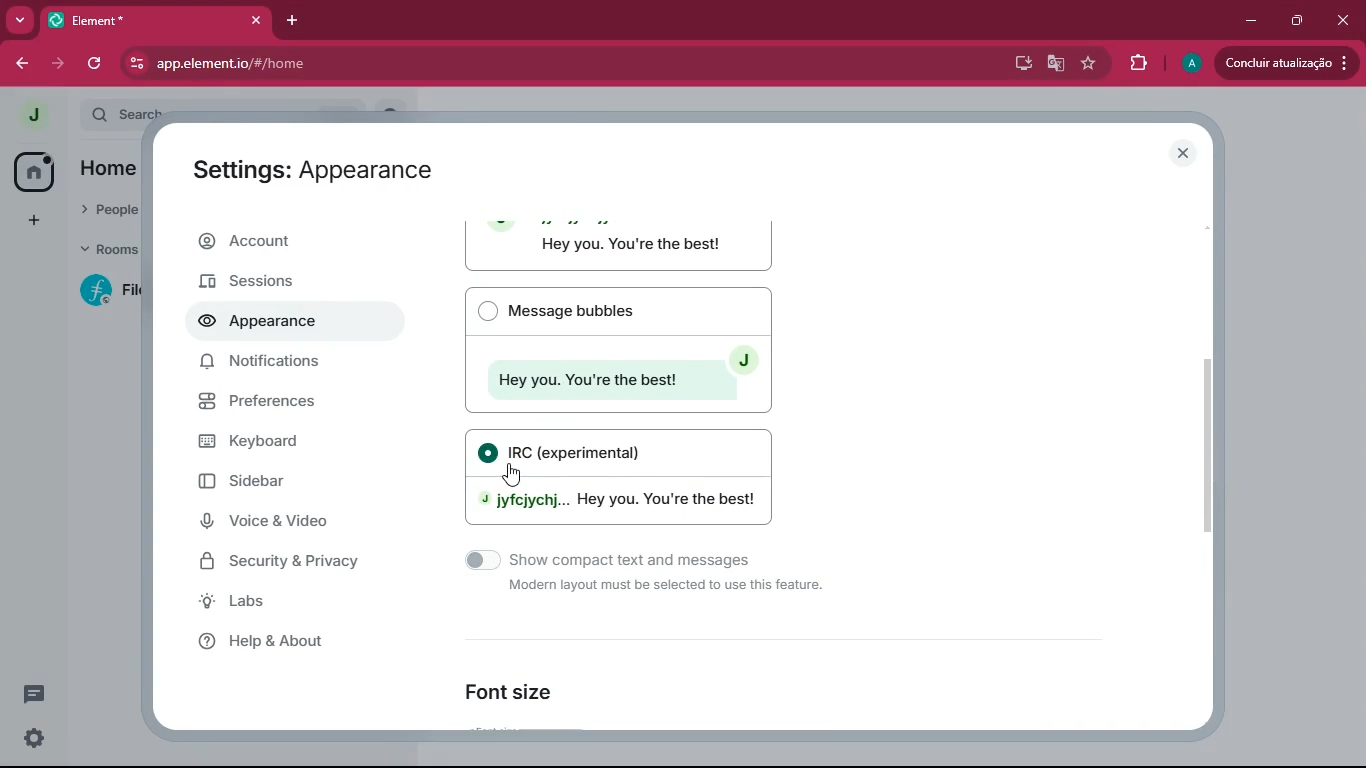  I want to click on home, so click(112, 168).